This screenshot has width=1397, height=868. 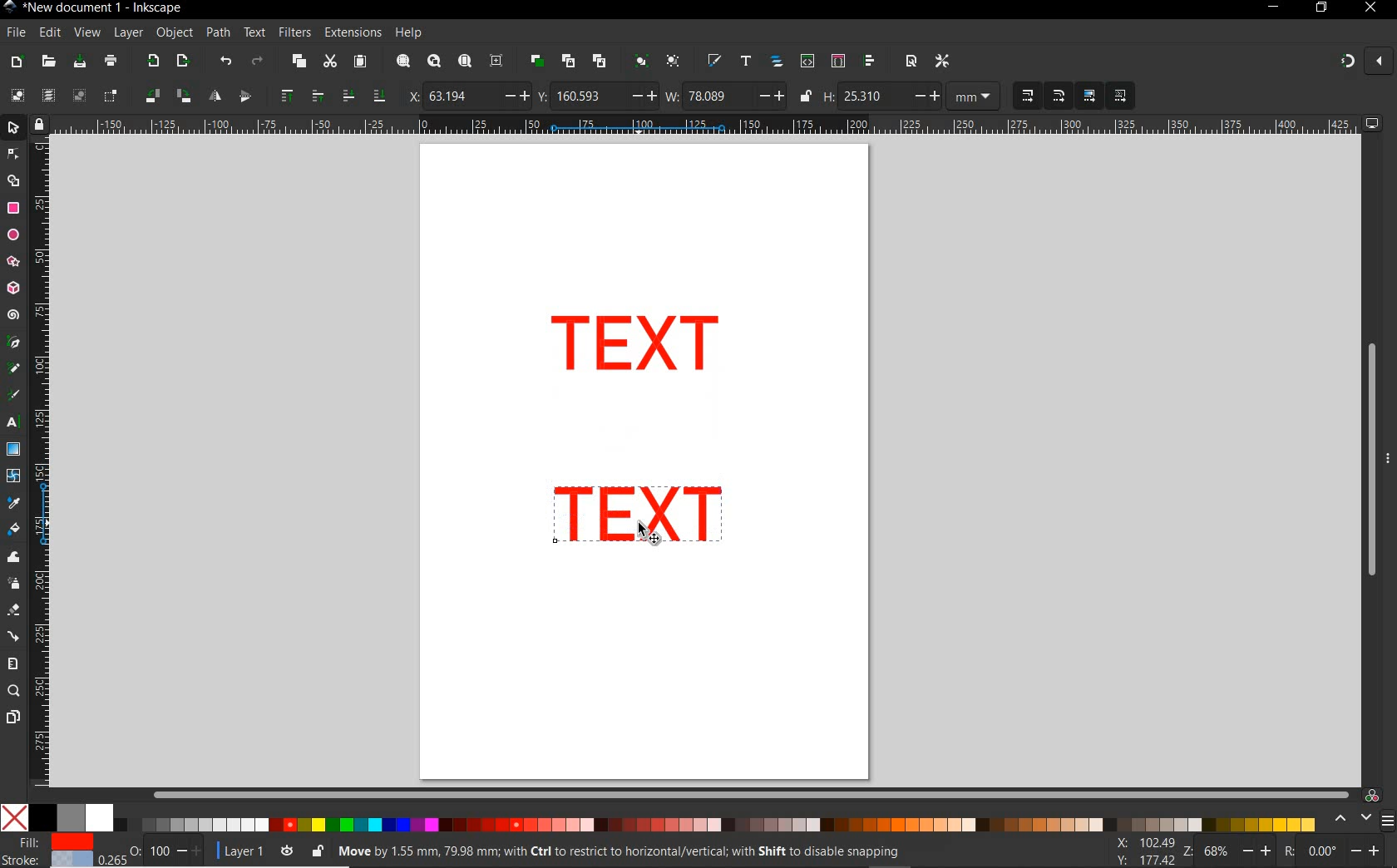 I want to click on layer, so click(x=129, y=33).